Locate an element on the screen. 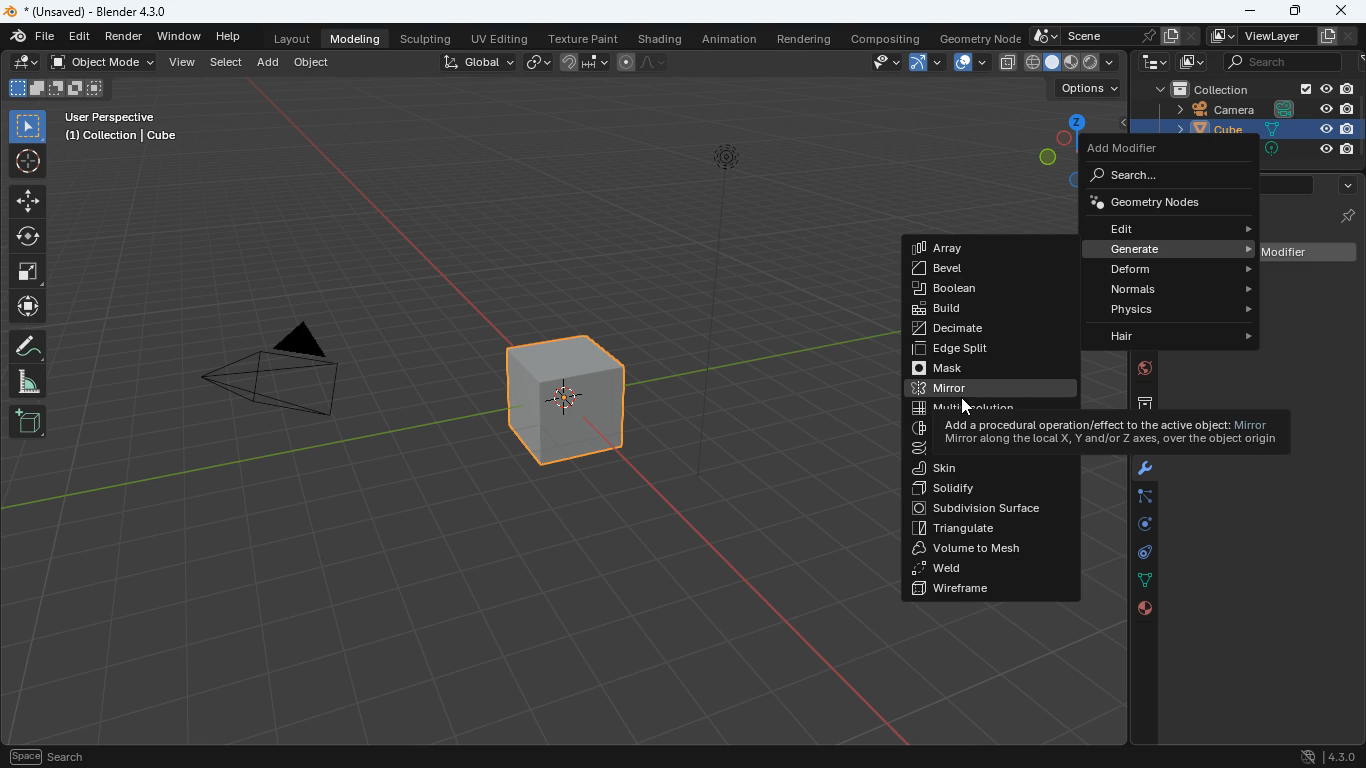 The width and height of the screenshot is (1366, 768). angle is located at coordinates (23, 381).